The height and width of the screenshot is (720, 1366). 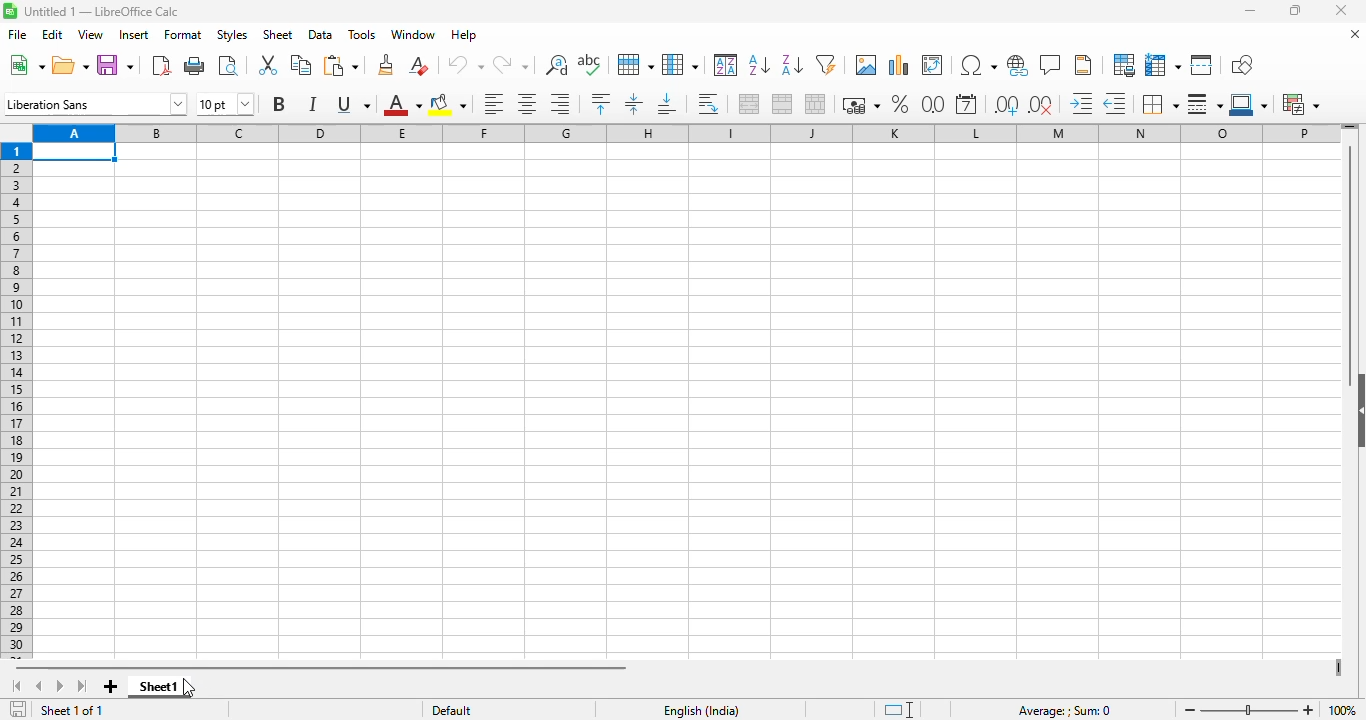 I want to click on delete decimal place, so click(x=1042, y=105).